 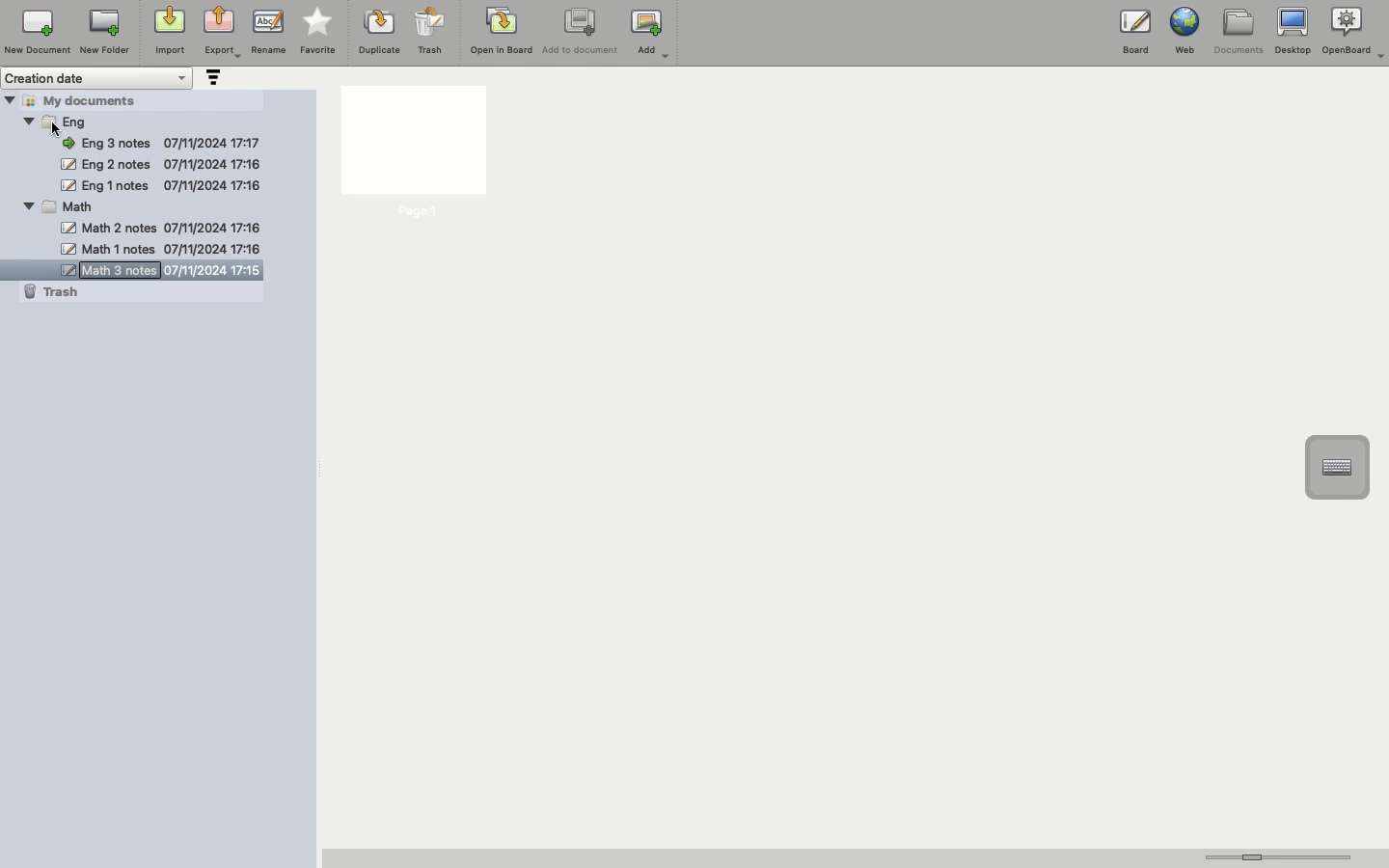 I want to click on Documents, so click(x=1238, y=32).